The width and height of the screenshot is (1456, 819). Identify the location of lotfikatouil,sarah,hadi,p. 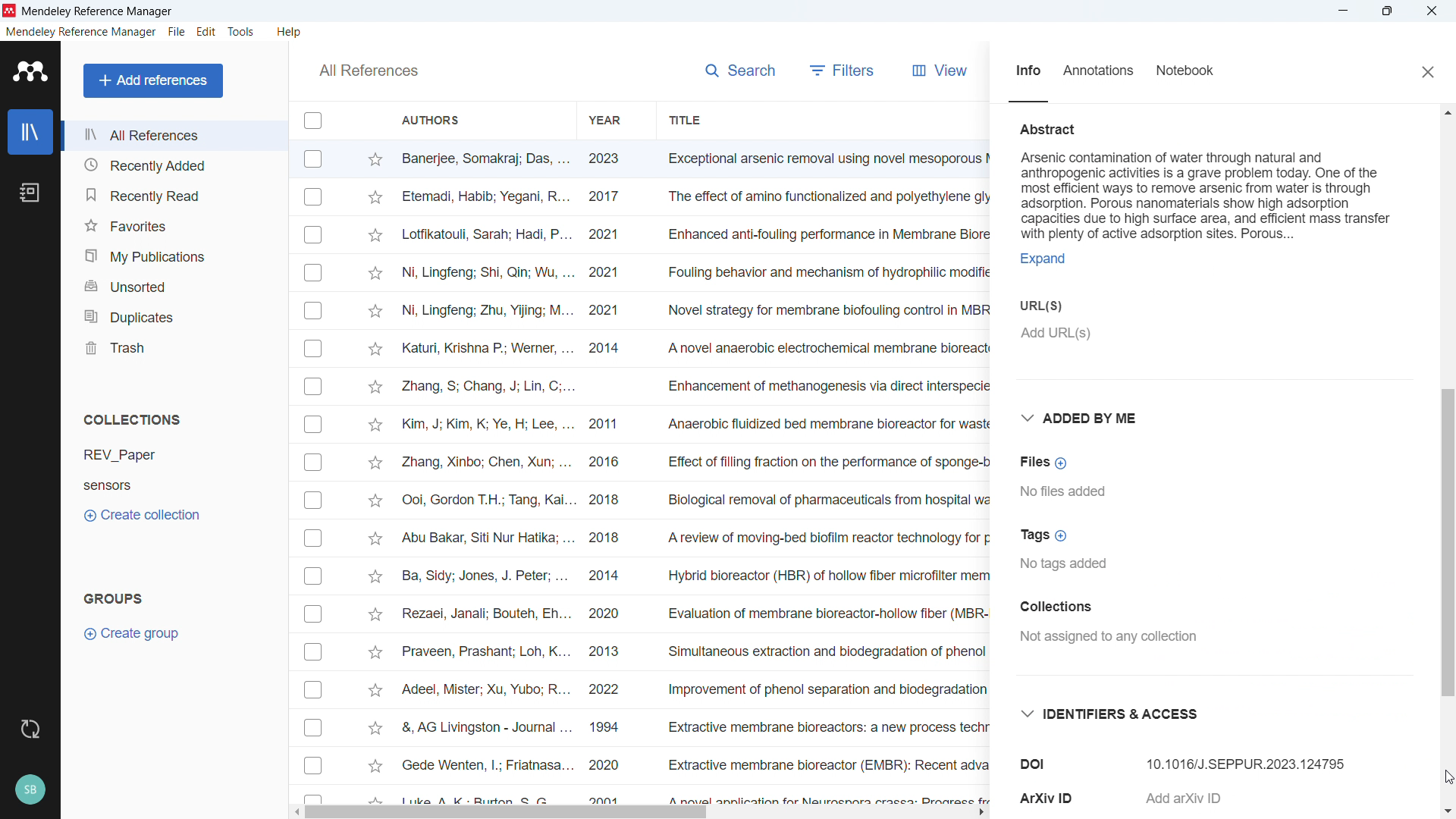
(485, 235).